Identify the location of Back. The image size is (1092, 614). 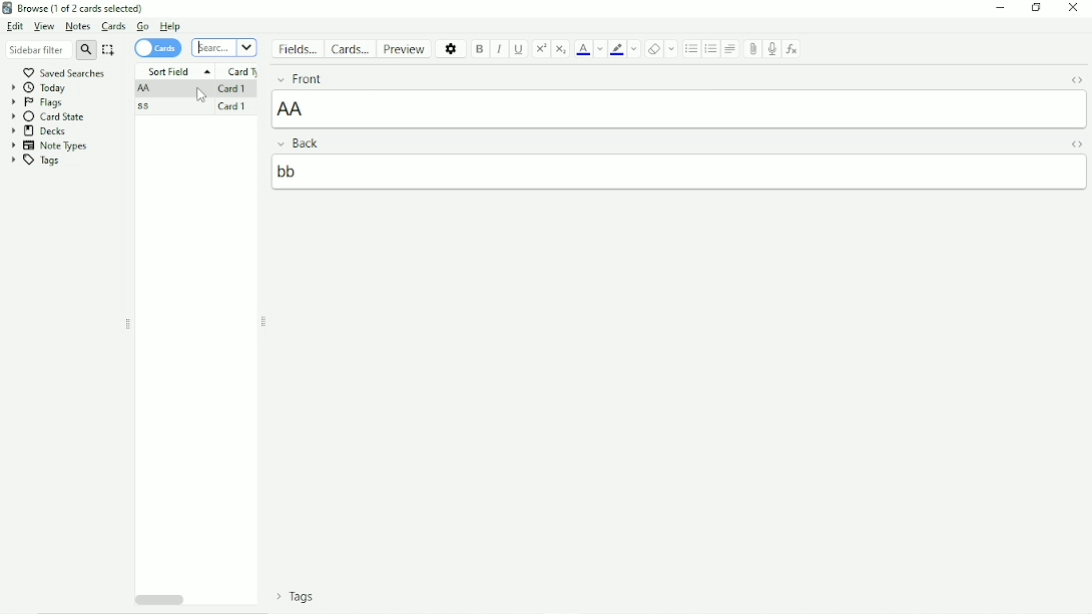
(300, 142).